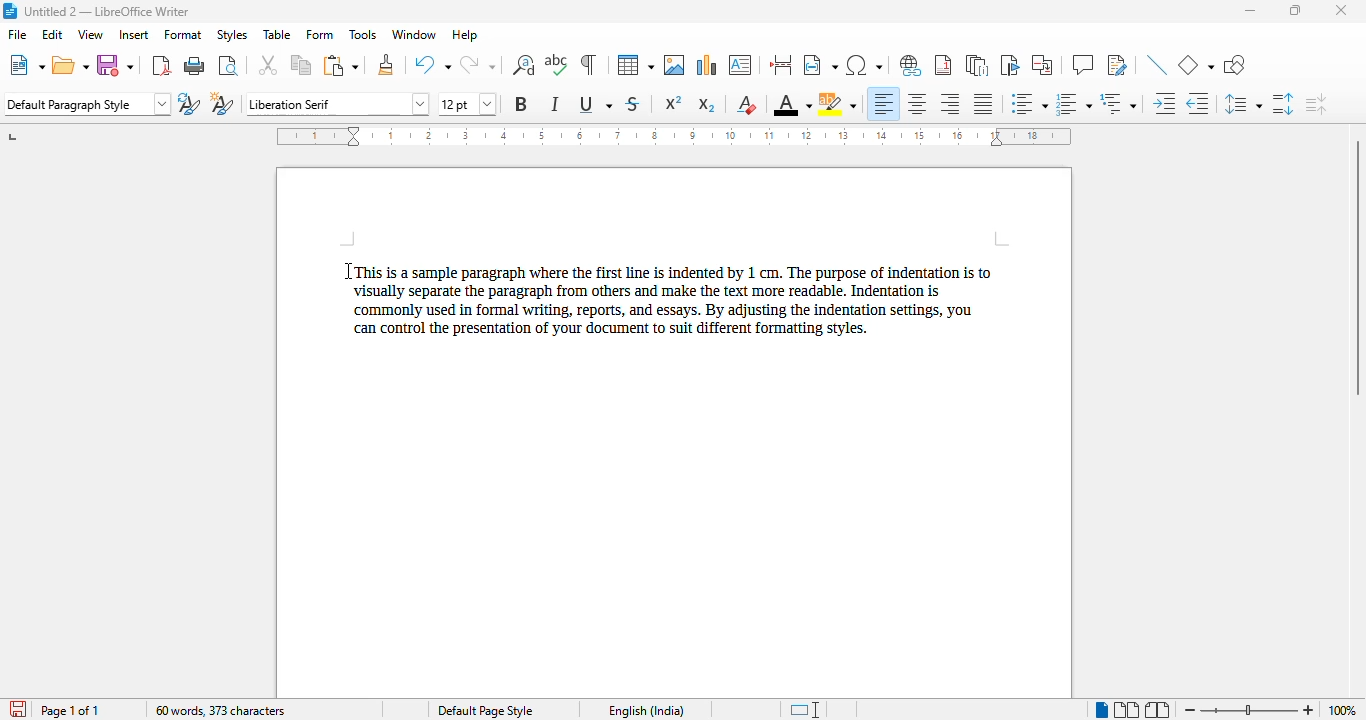  What do you see at coordinates (681, 302) in the screenshot?
I see `This is a sample paragraph where the first line is indented by 1 cm. The purpose of indentation is to
visually separate the paragraph from others and make the text more readable. Indentation is
commonly used in formal writing, reports, and essays. By adjusting the indentation settings, you
can control the presentation of your document to suit different formatting styles.` at bounding box center [681, 302].